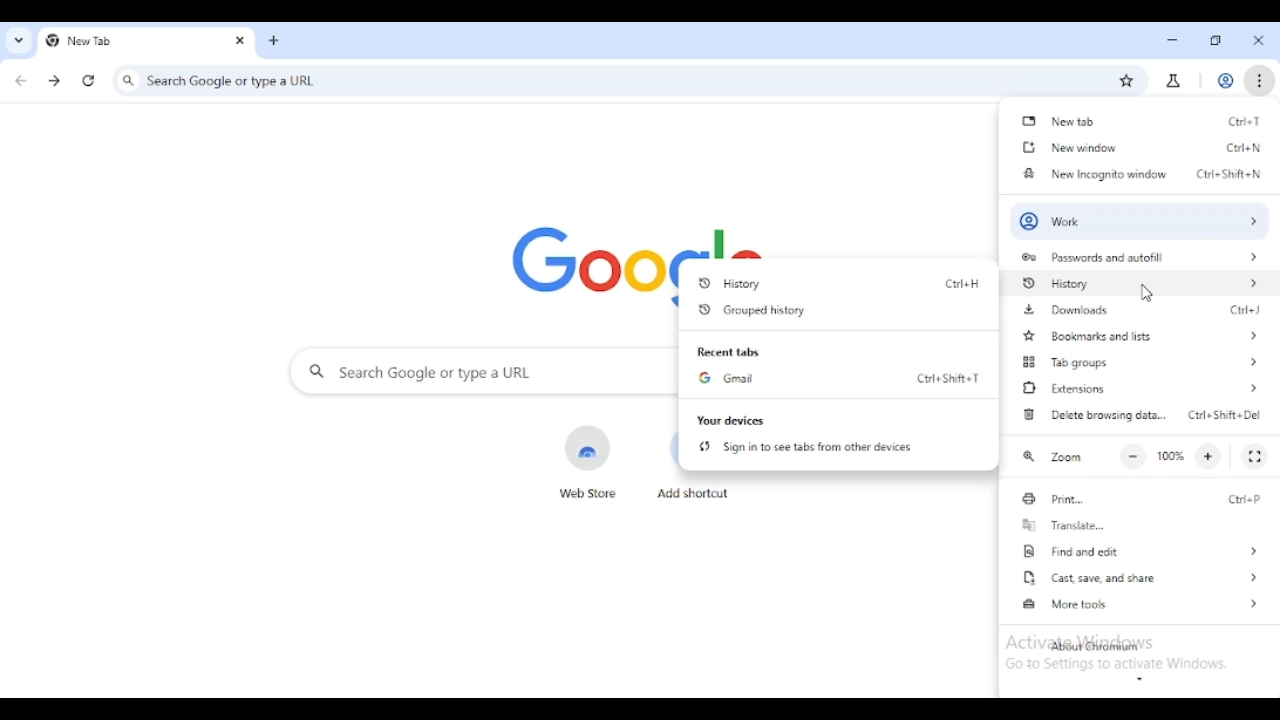 This screenshot has width=1280, height=720. I want to click on shortcut for history, so click(962, 283).